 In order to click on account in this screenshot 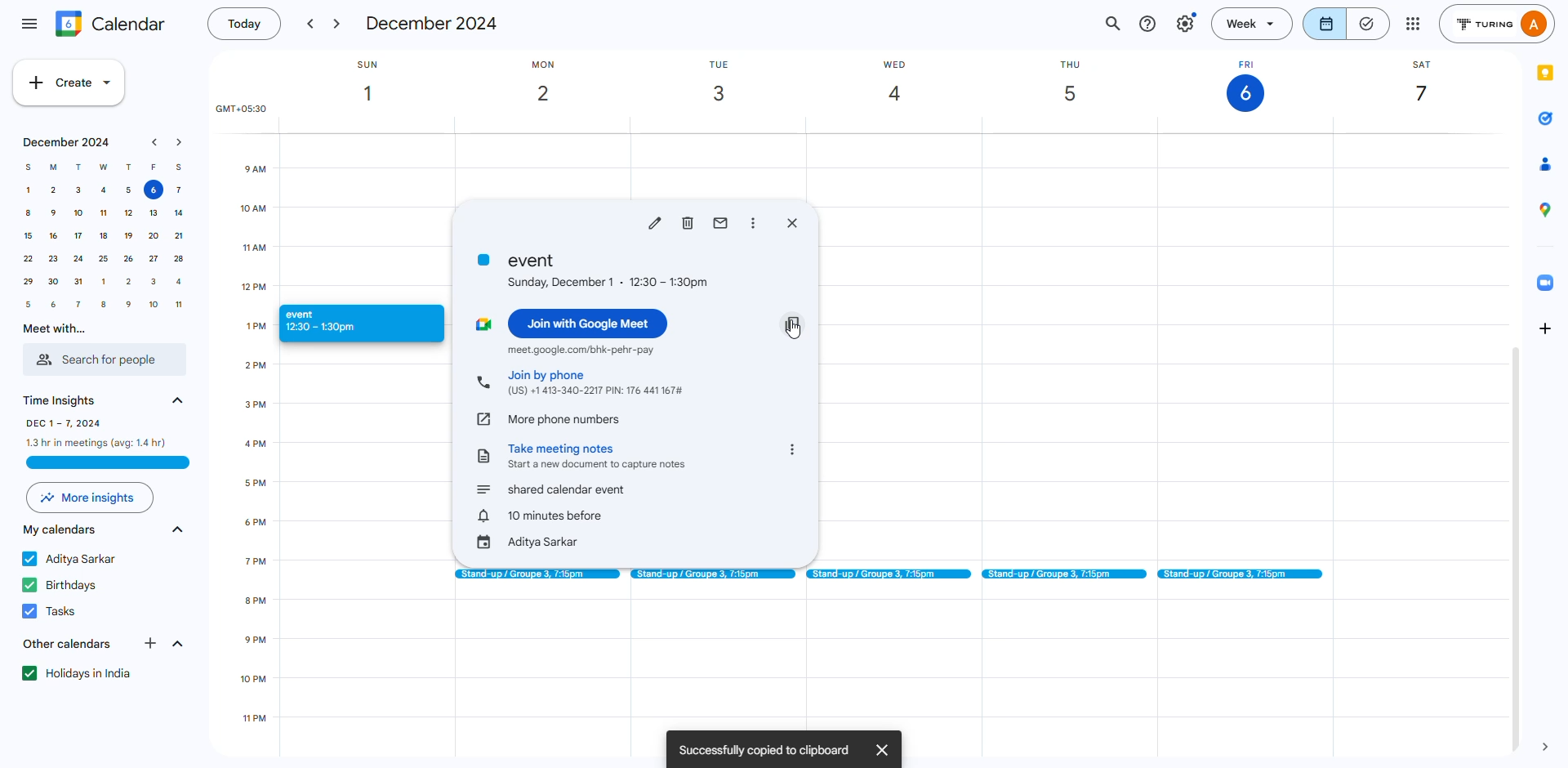, I will do `click(1499, 24)`.